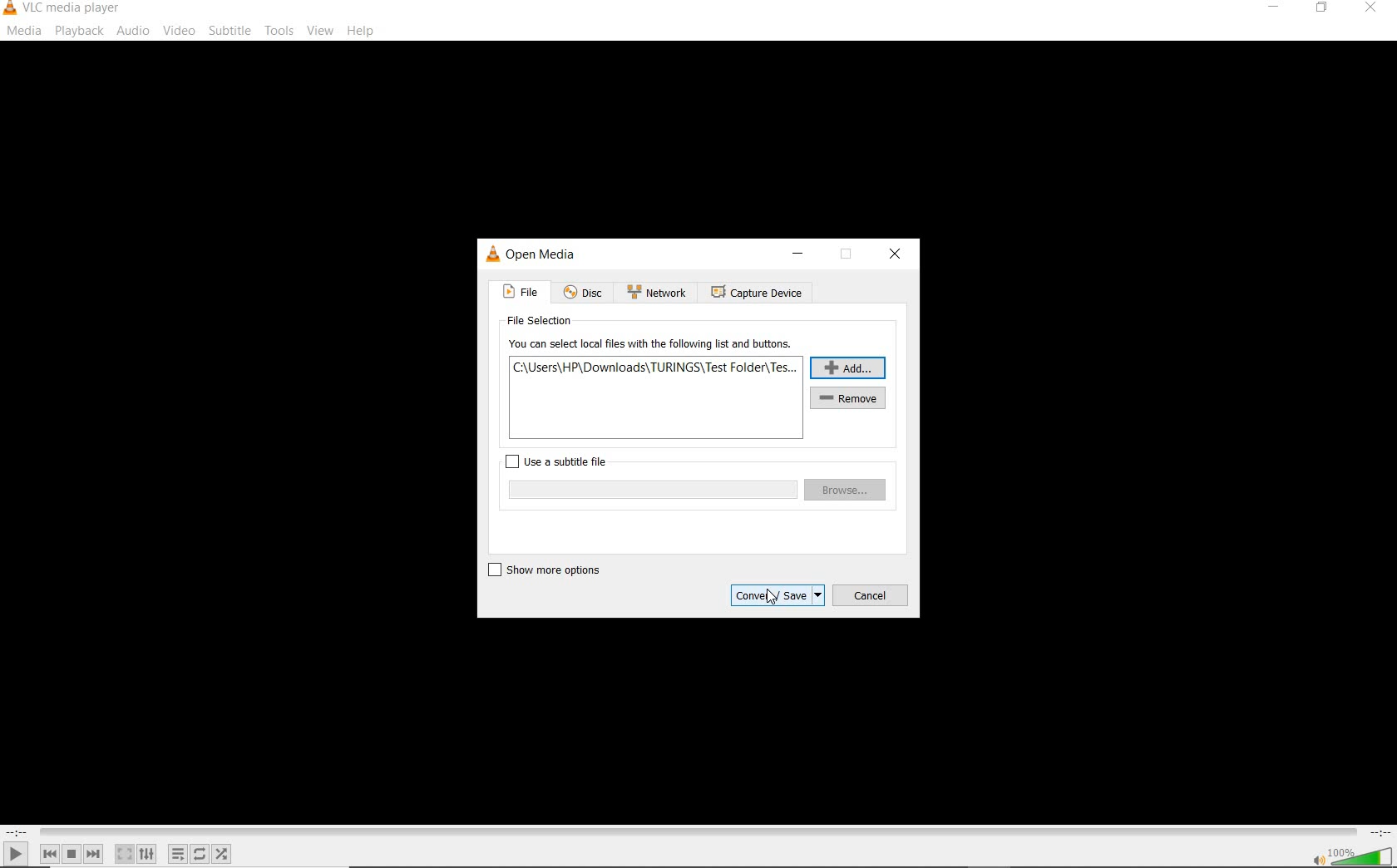 Image resolution: width=1397 pixels, height=868 pixels. Describe the element at coordinates (1362, 855) in the screenshot. I see `volume` at that location.